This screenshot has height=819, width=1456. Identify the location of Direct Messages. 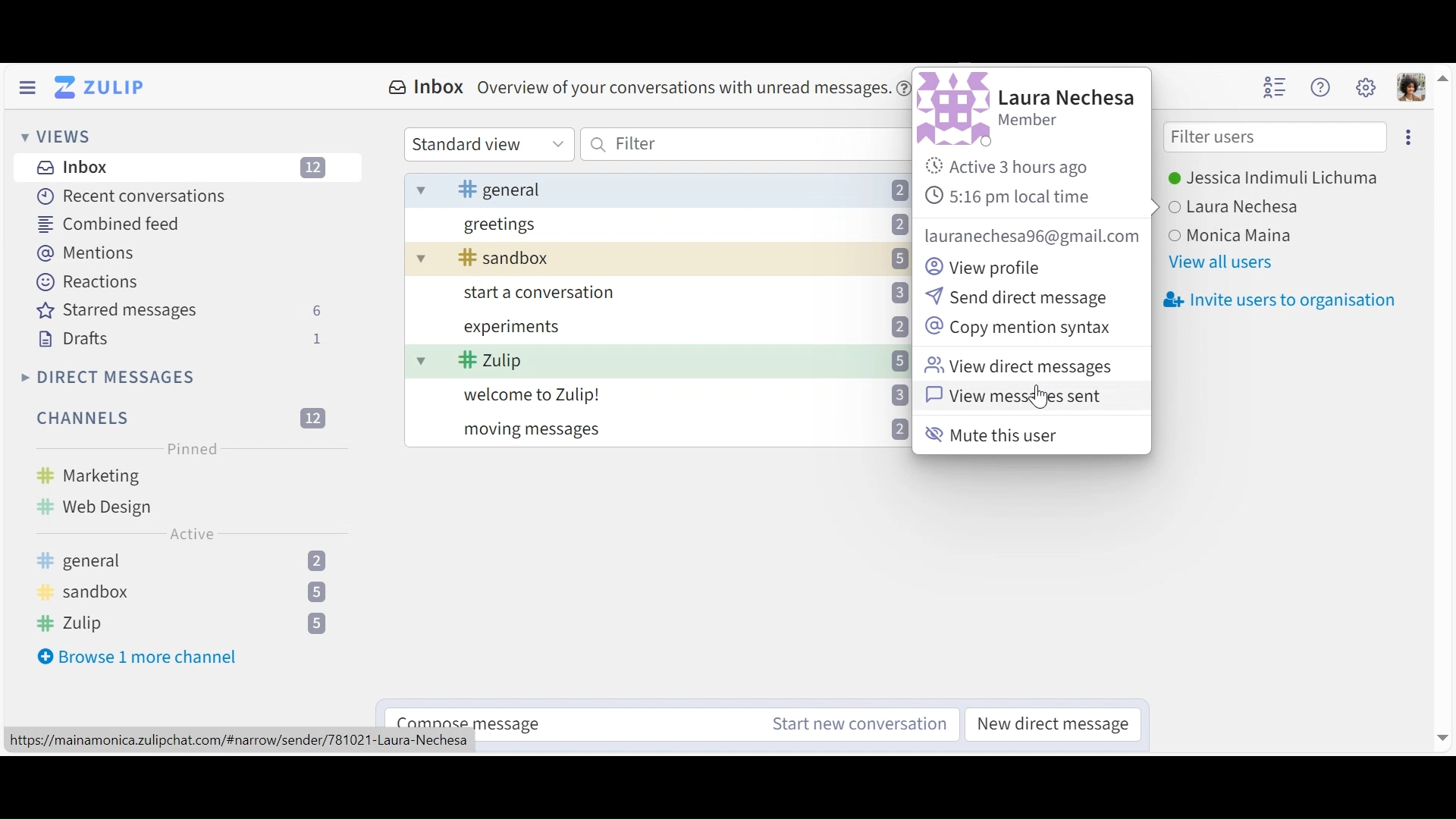
(108, 377).